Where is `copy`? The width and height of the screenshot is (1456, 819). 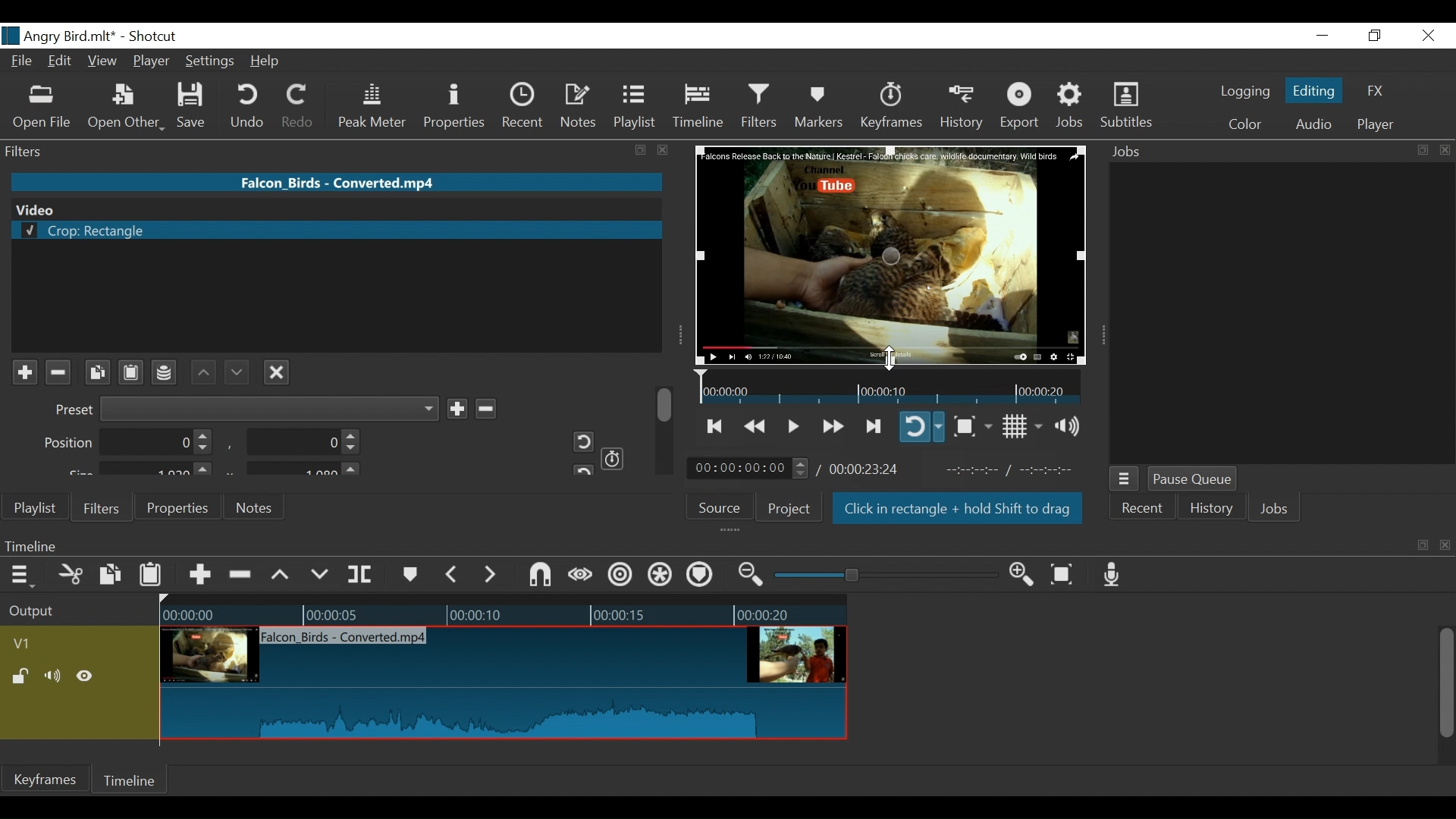 copy is located at coordinates (642, 151).